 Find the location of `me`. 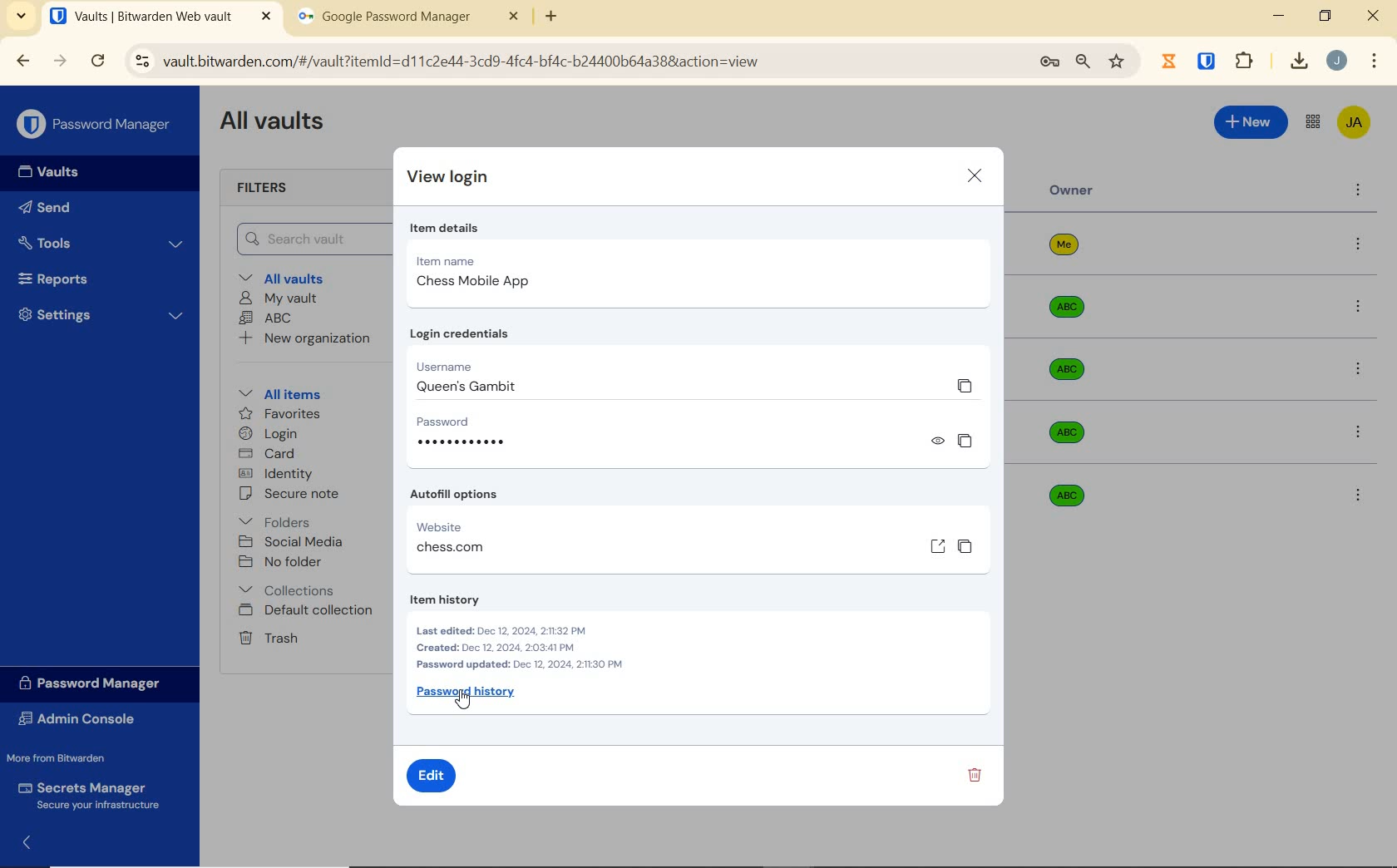

me is located at coordinates (1064, 249).